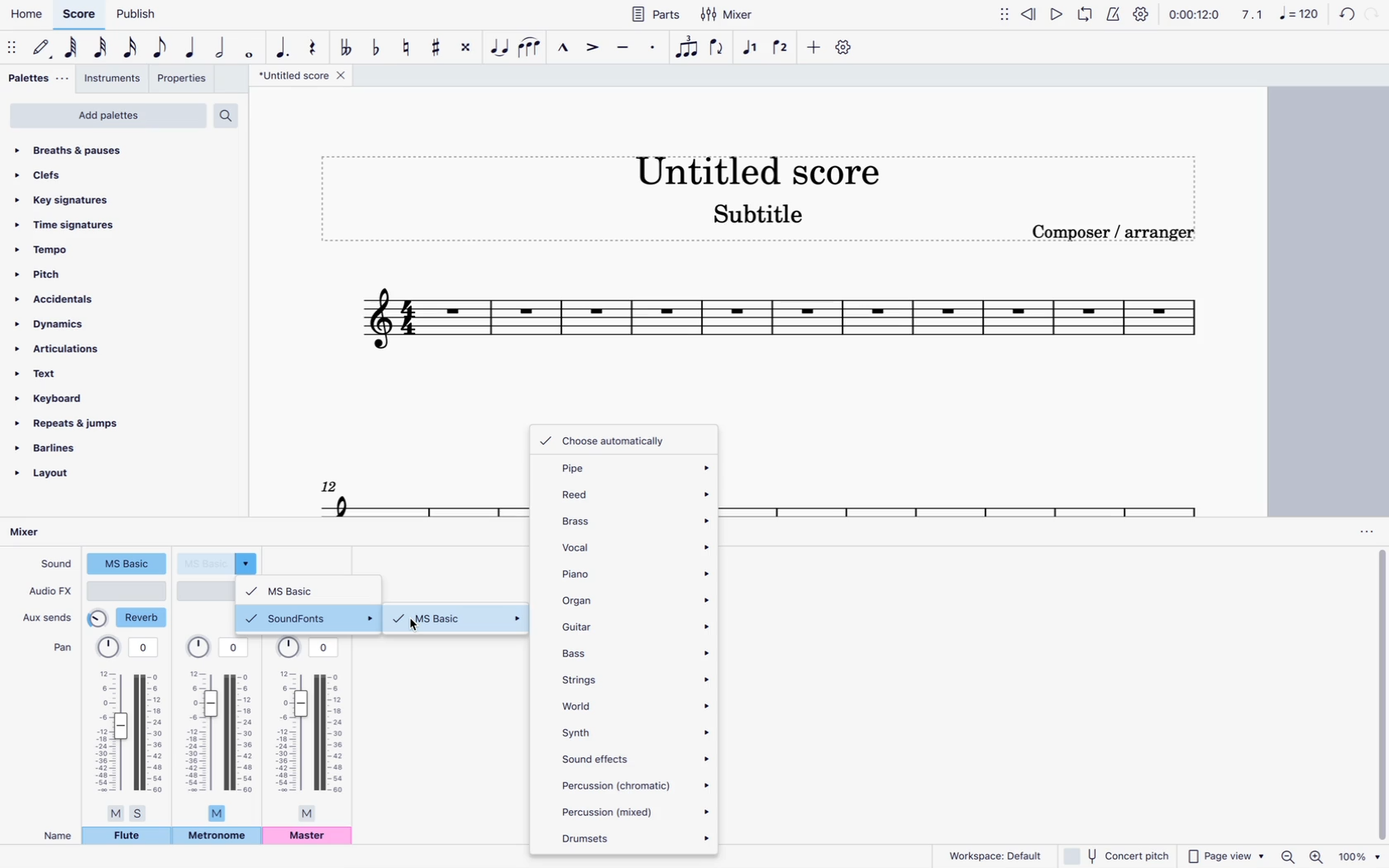  I want to click on organ, so click(633, 599).